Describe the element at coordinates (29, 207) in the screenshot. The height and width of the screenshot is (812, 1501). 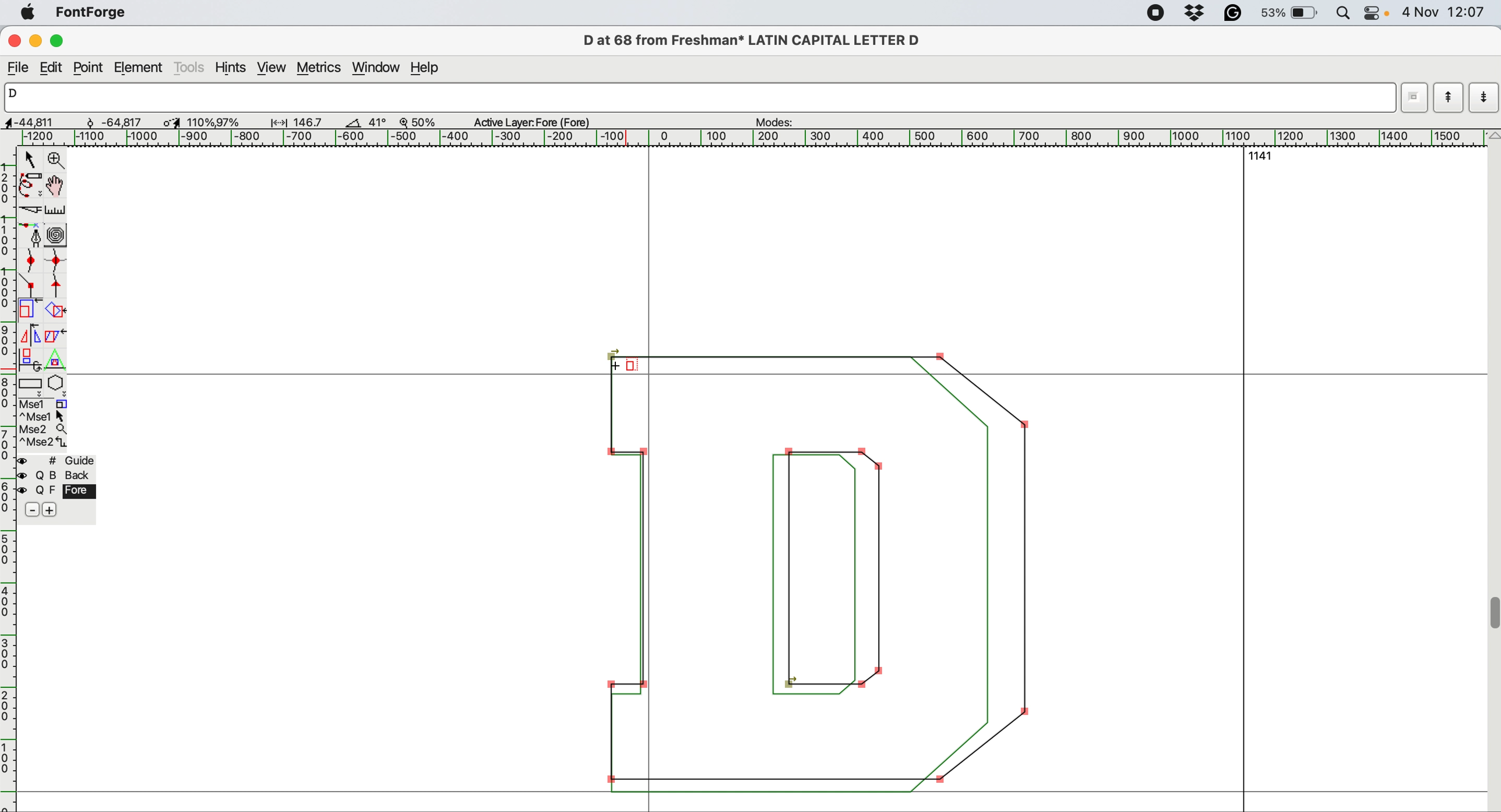
I see `cut splines in two` at that location.